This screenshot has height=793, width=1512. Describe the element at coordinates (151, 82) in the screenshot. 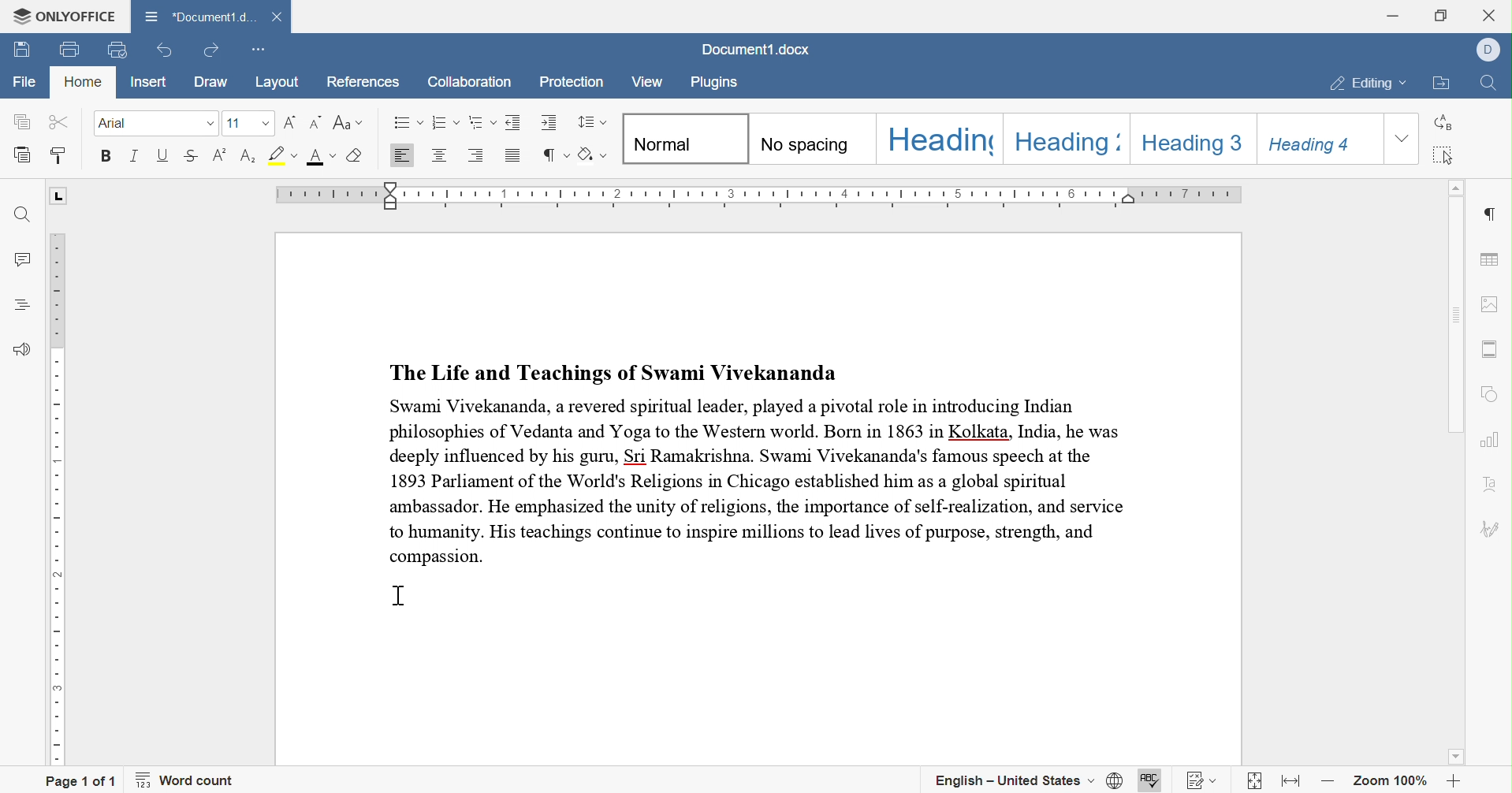

I see `insert` at that location.